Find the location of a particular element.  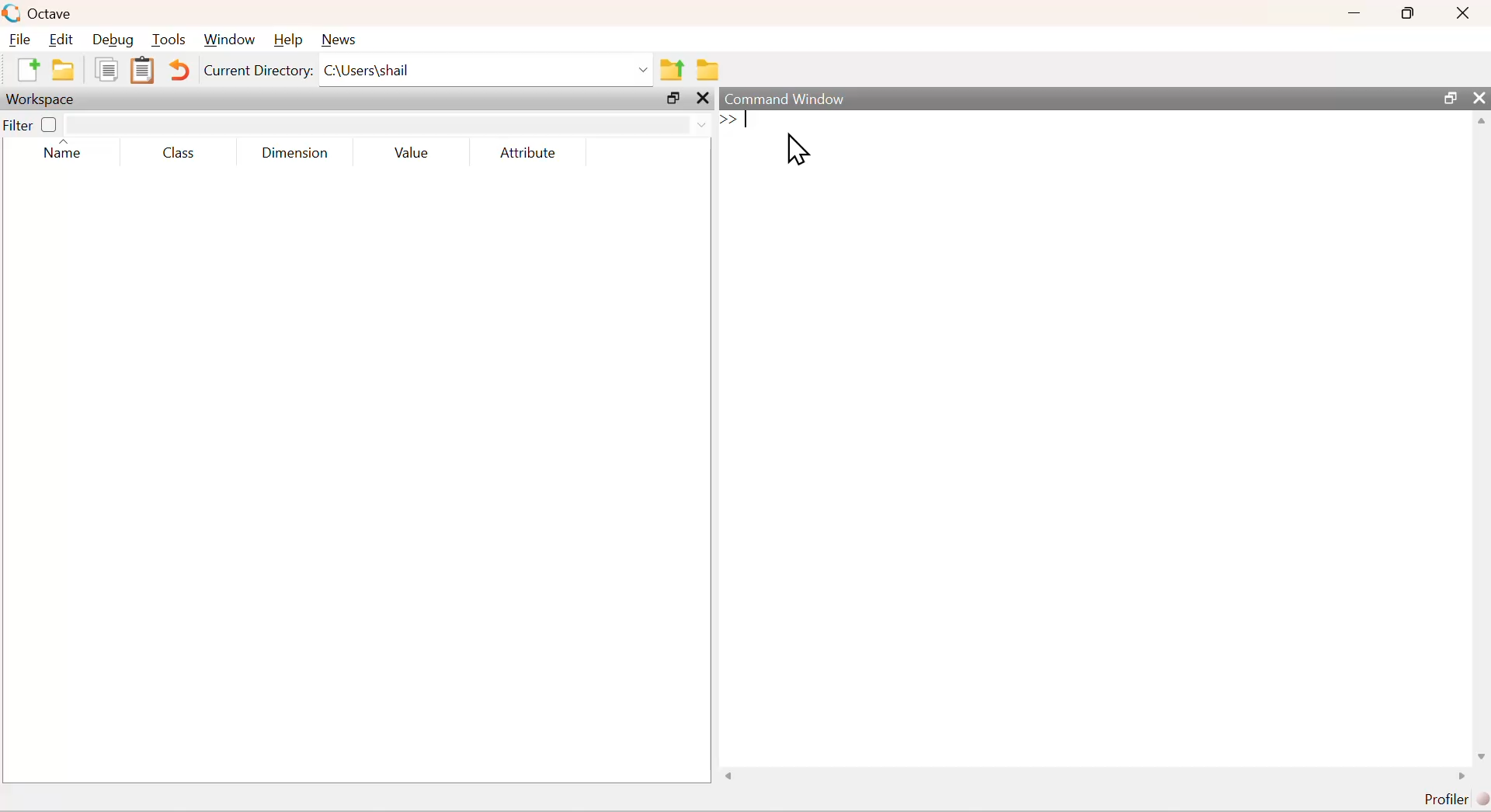

File is located at coordinates (23, 40).